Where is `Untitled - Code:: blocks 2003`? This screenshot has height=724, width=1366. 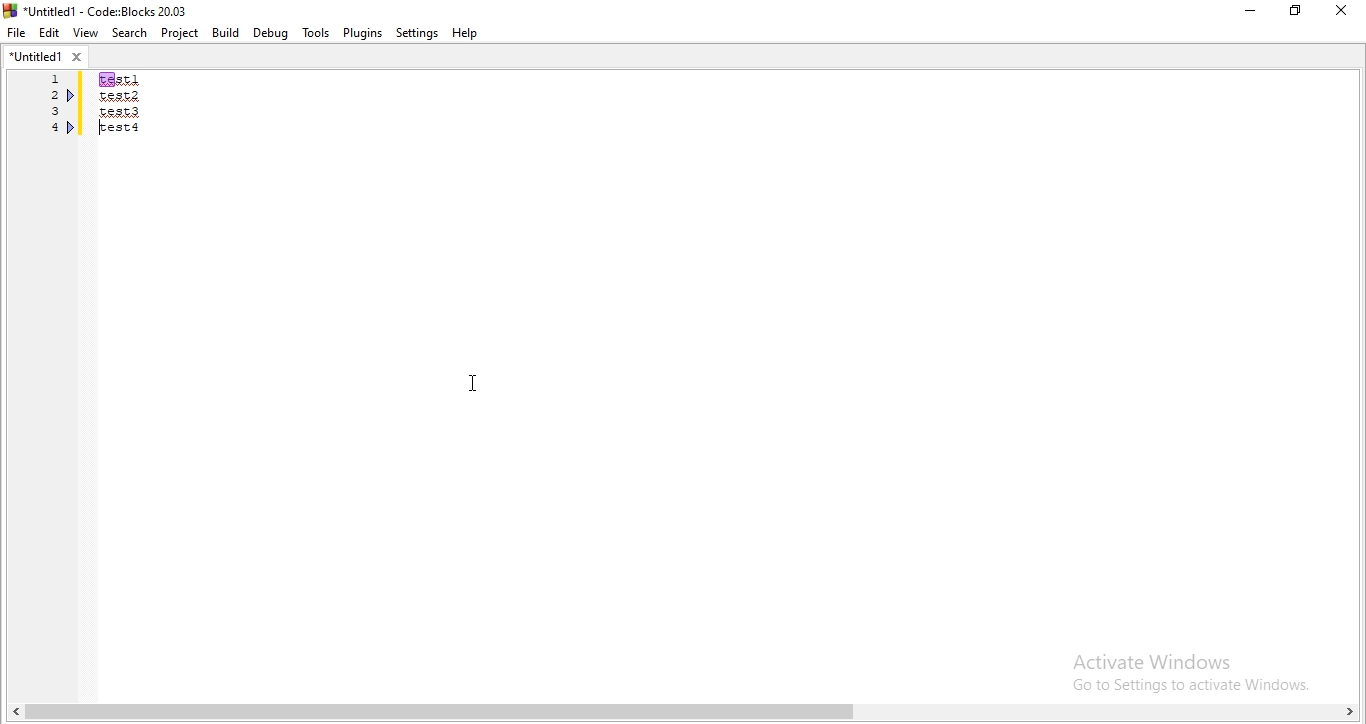
Untitled - Code:: blocks 2003 is located at coordinates (98, 8).